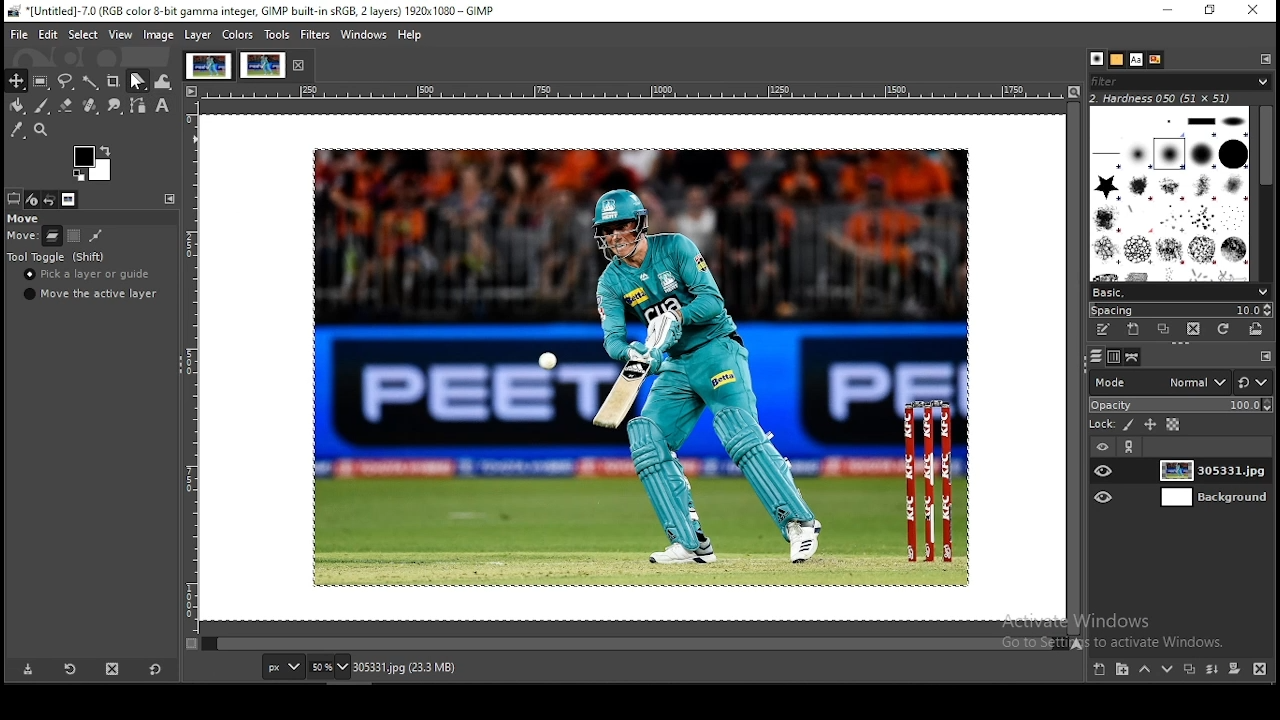 The width and height of the screenshot is (1280, 720). I want to click on layer visibility on/off, so click(1106, 496).